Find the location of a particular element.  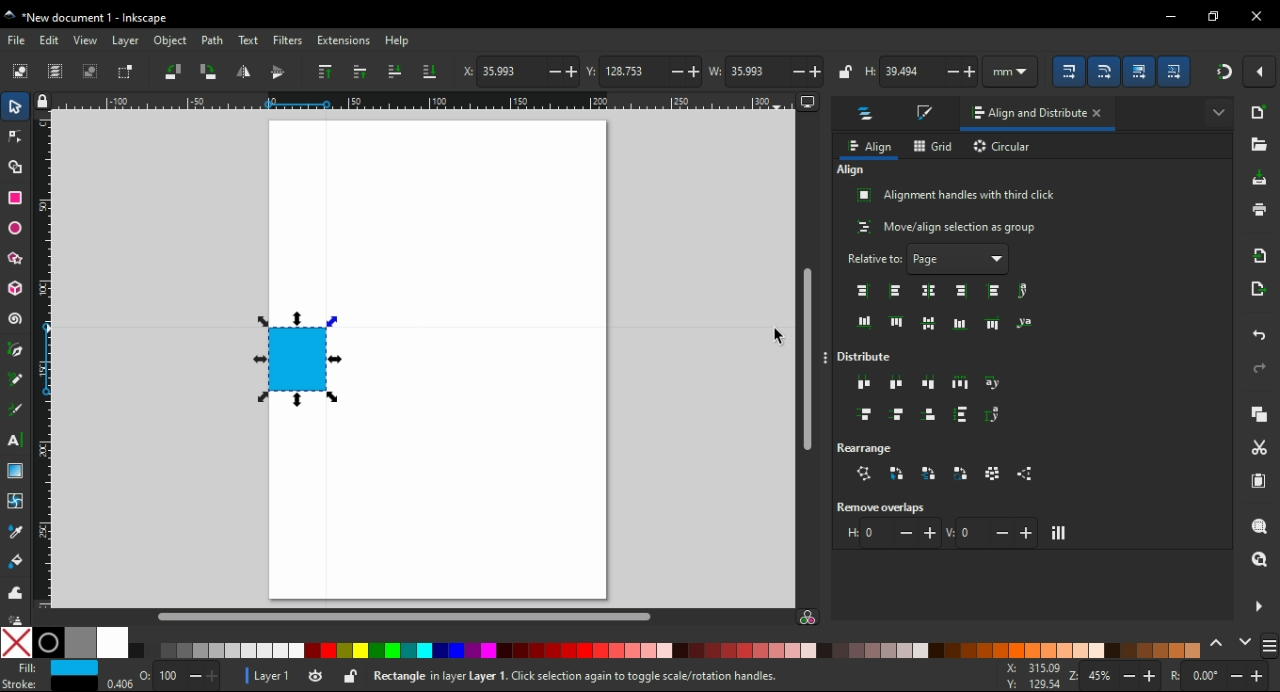

previous is located at coordinates (1218, 644).